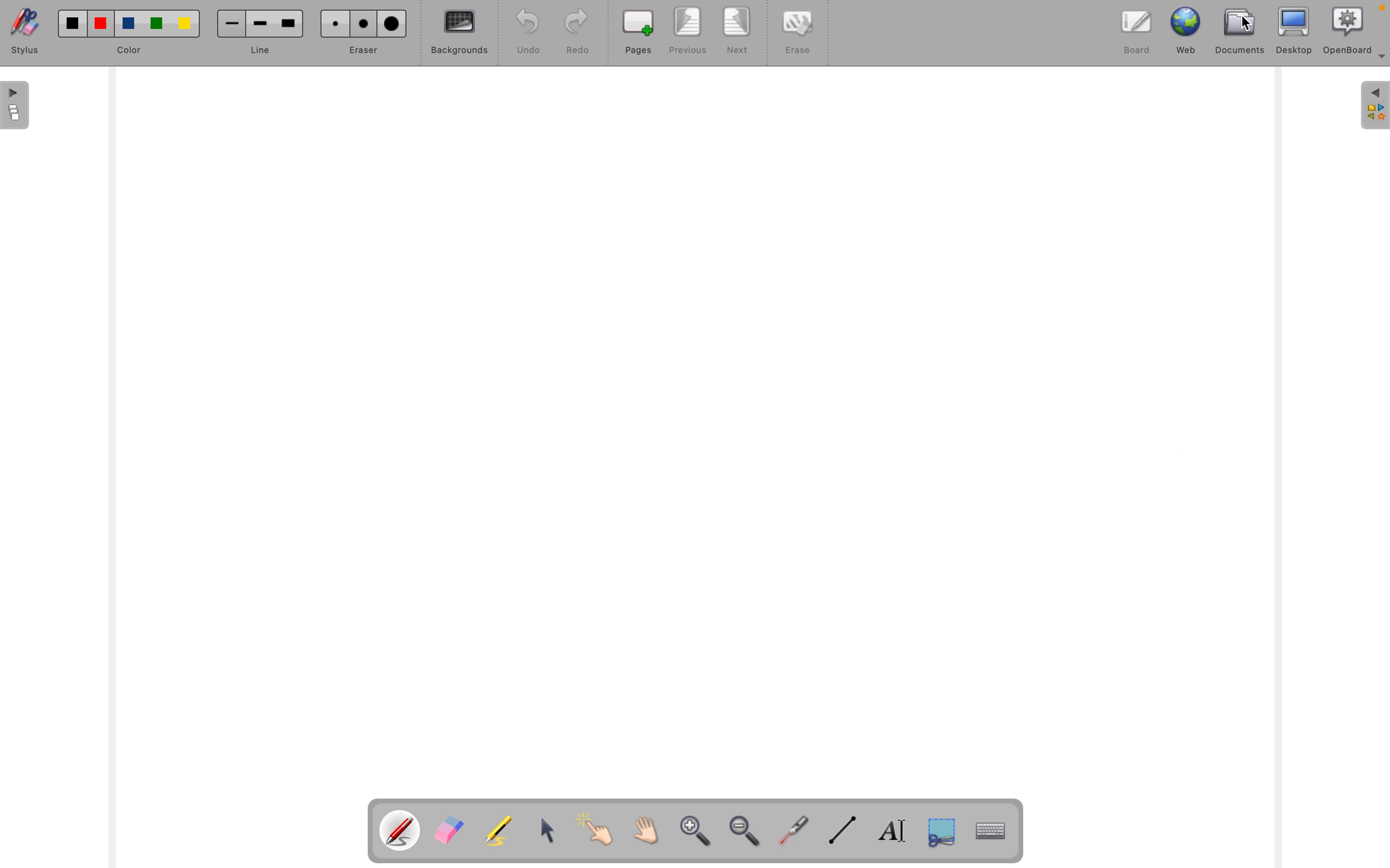  I want to click on undo, so click(522, 32).